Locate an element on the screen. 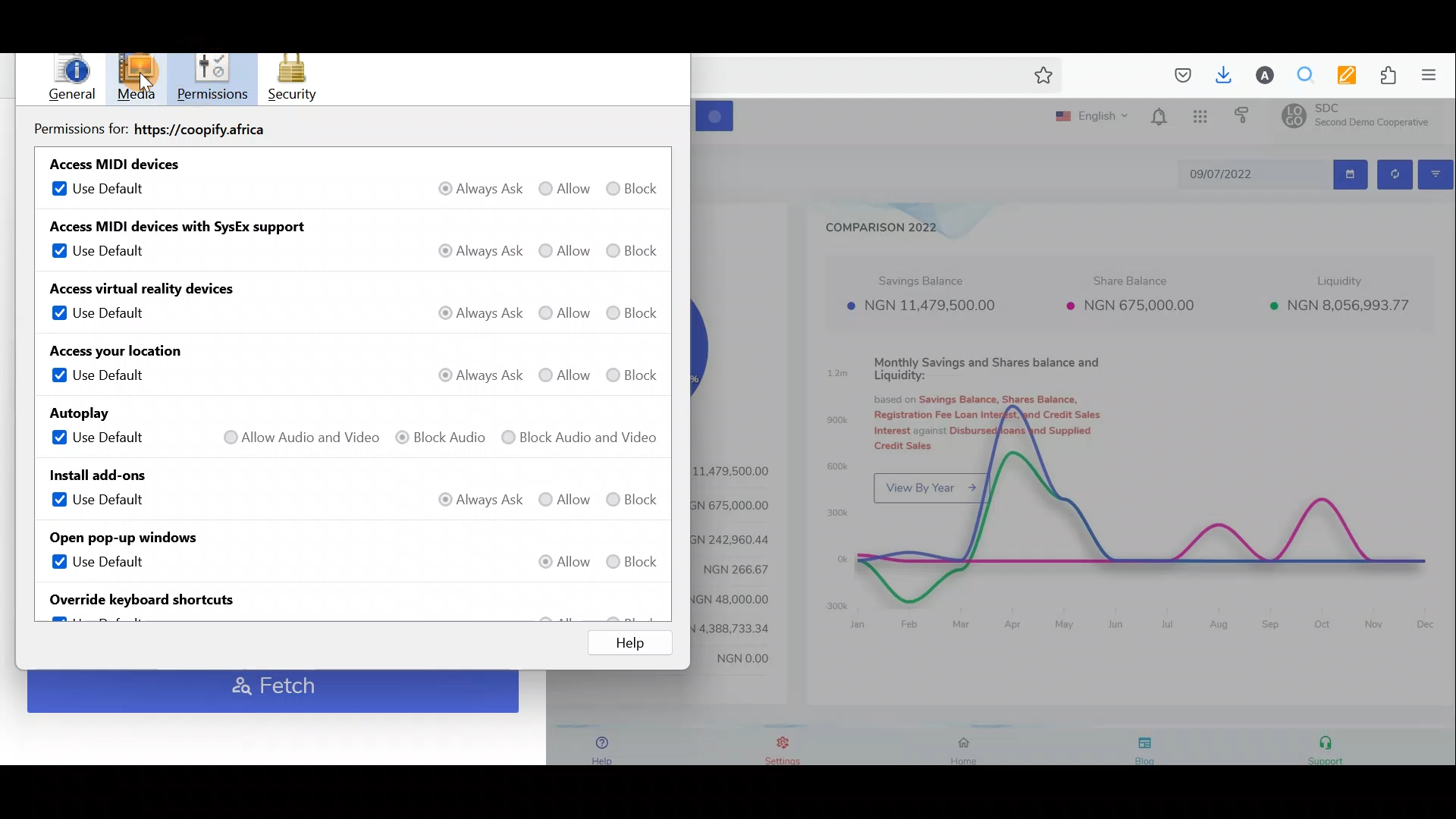  Block is located at coordinates (635, 375).